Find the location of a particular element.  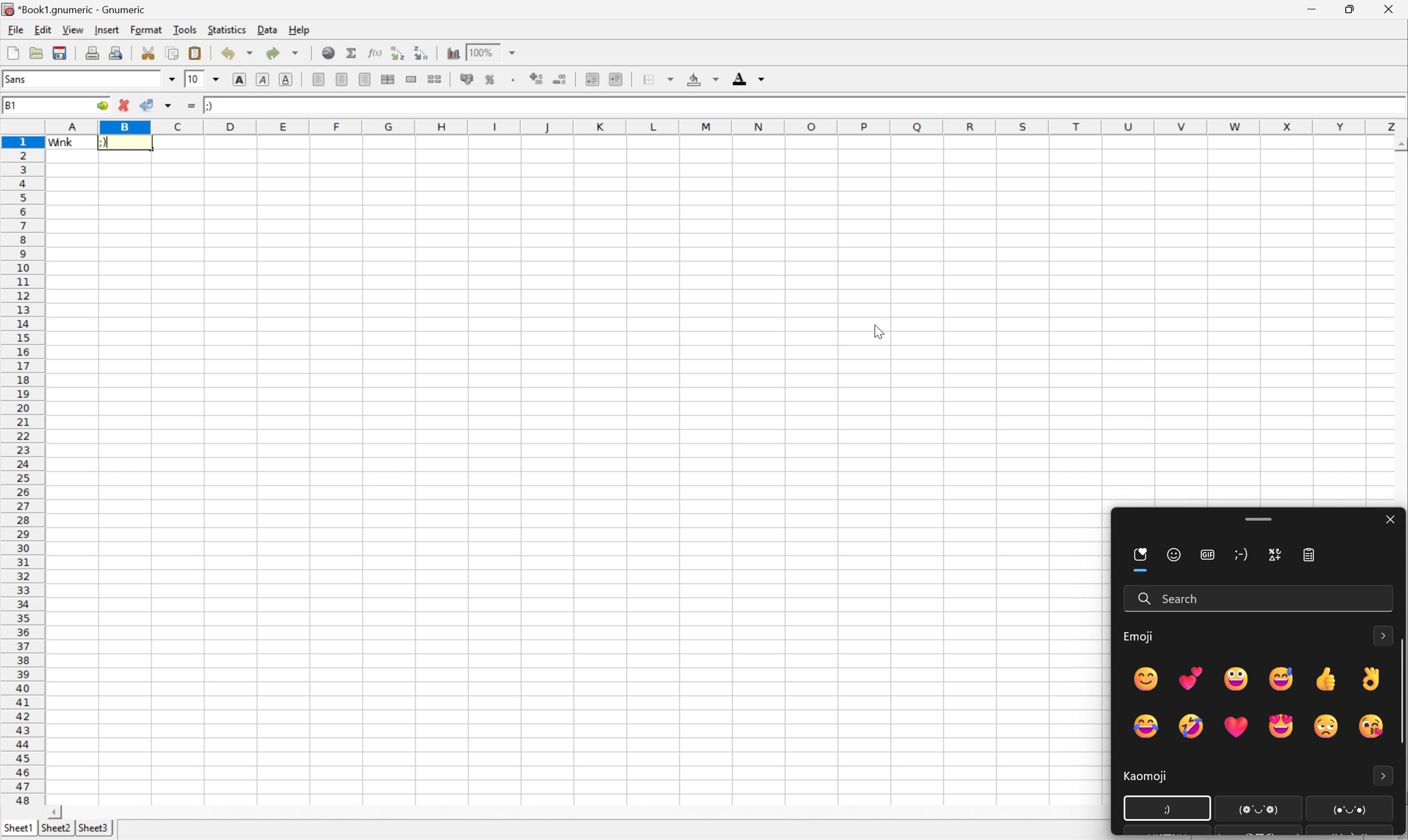

Sort the selected region in ascending order based on the first column selected is located at coordinates (399, 52).